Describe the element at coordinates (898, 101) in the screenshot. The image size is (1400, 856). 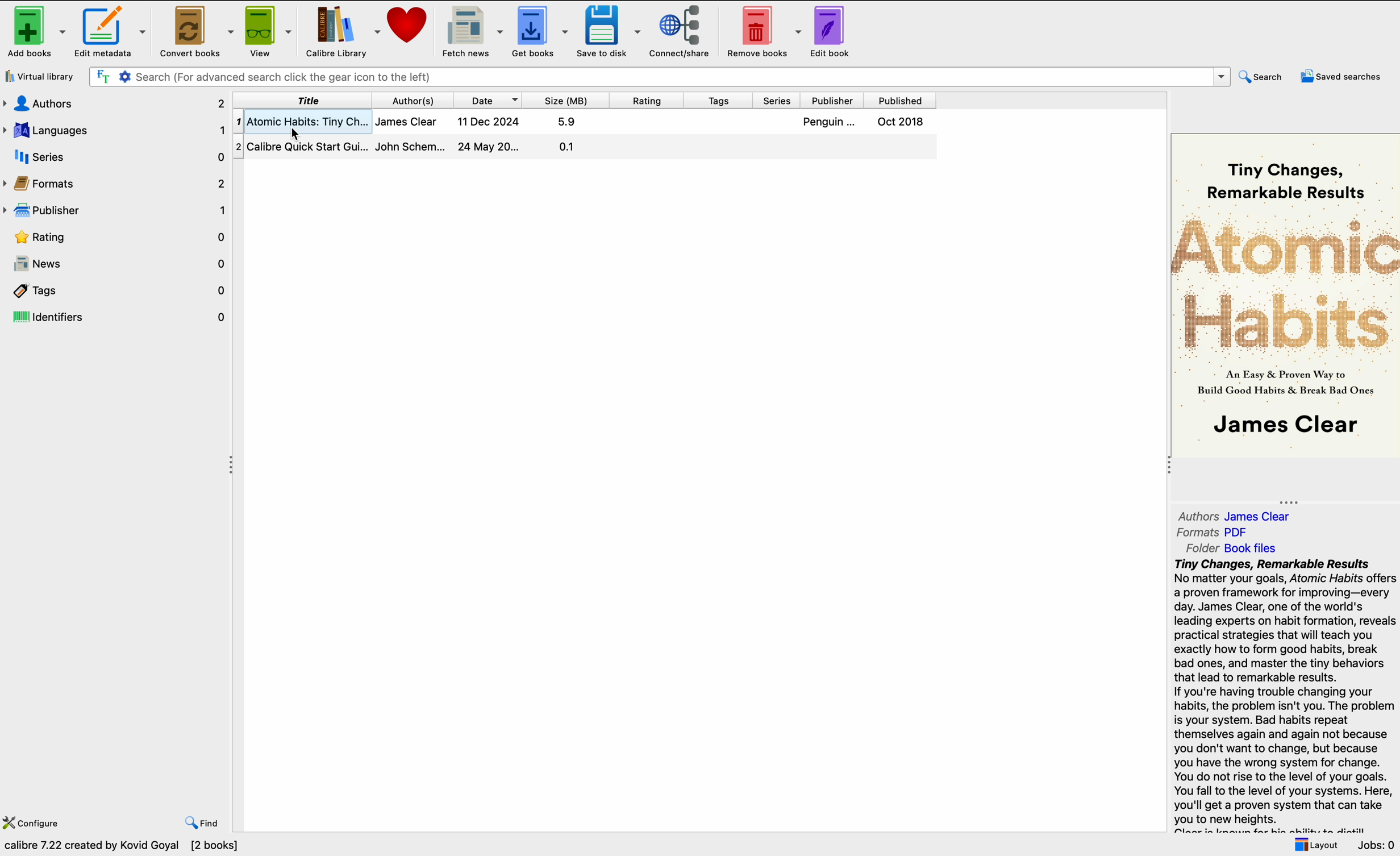
I see `published` at that location.